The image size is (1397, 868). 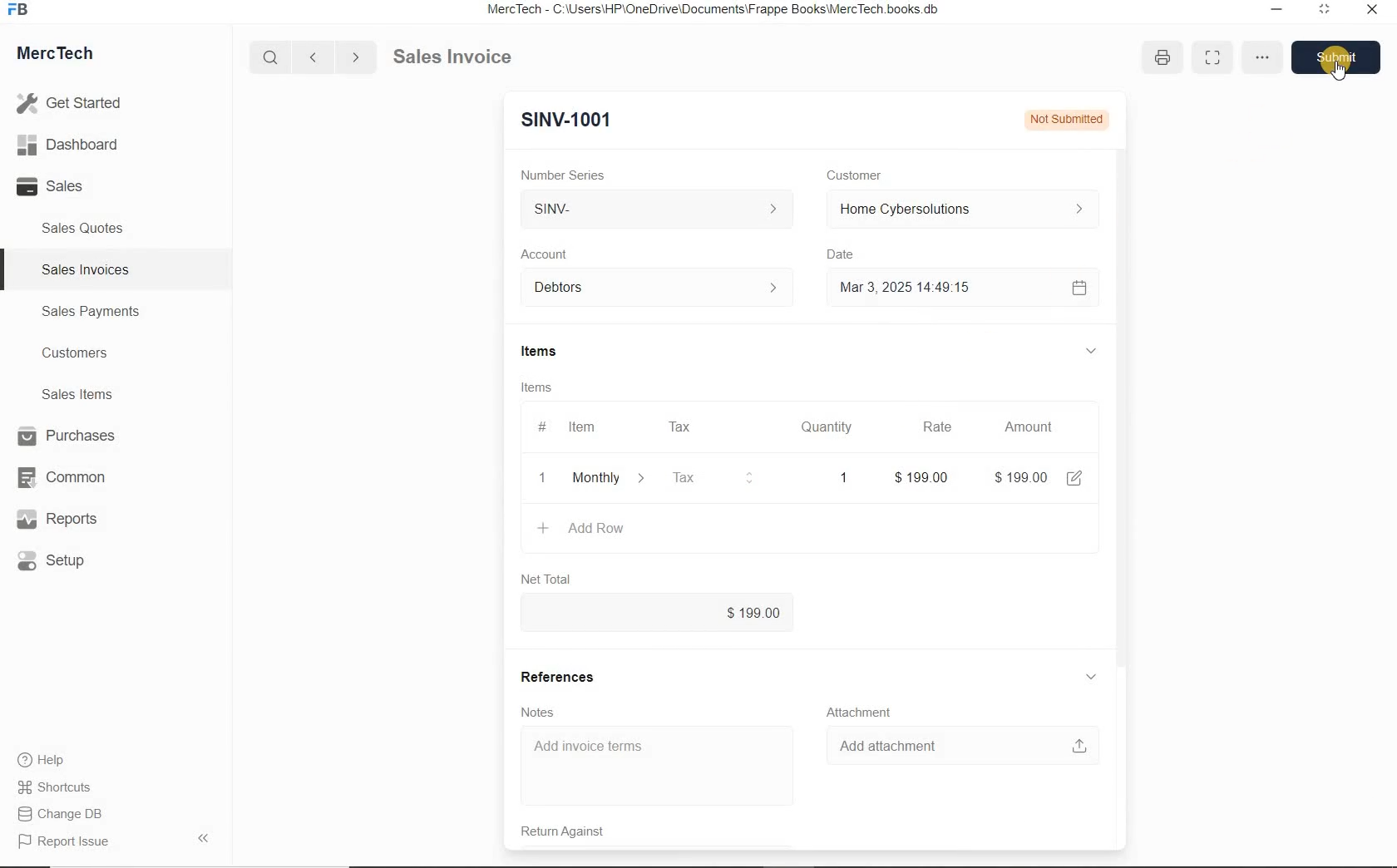 What do you see at coordinates (75, 186) in the screenshot?
I see `Sales` at bounding box center [75, 186].